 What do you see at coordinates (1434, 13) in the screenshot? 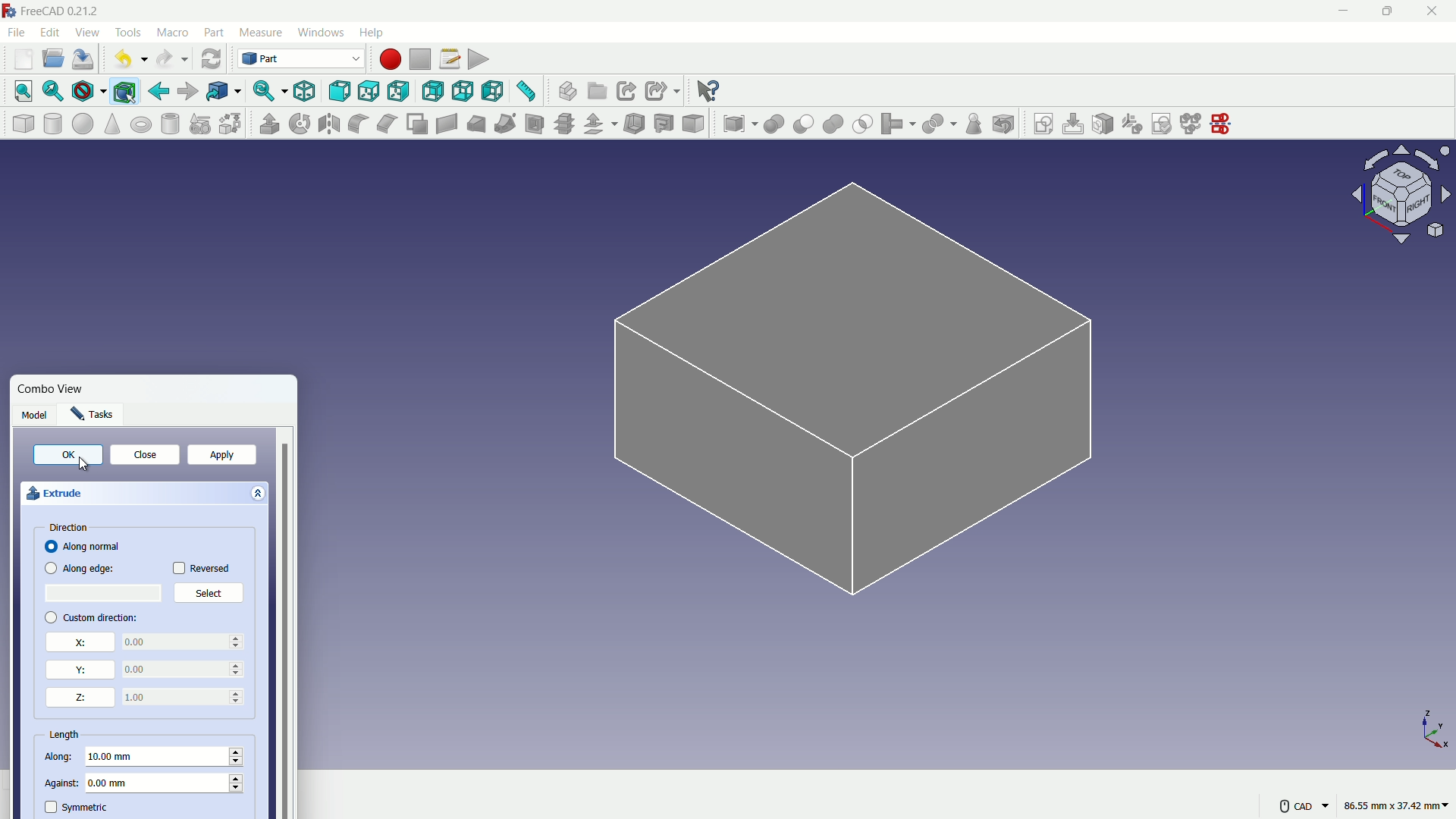
I see `close` at bounding box center [1434, 13].